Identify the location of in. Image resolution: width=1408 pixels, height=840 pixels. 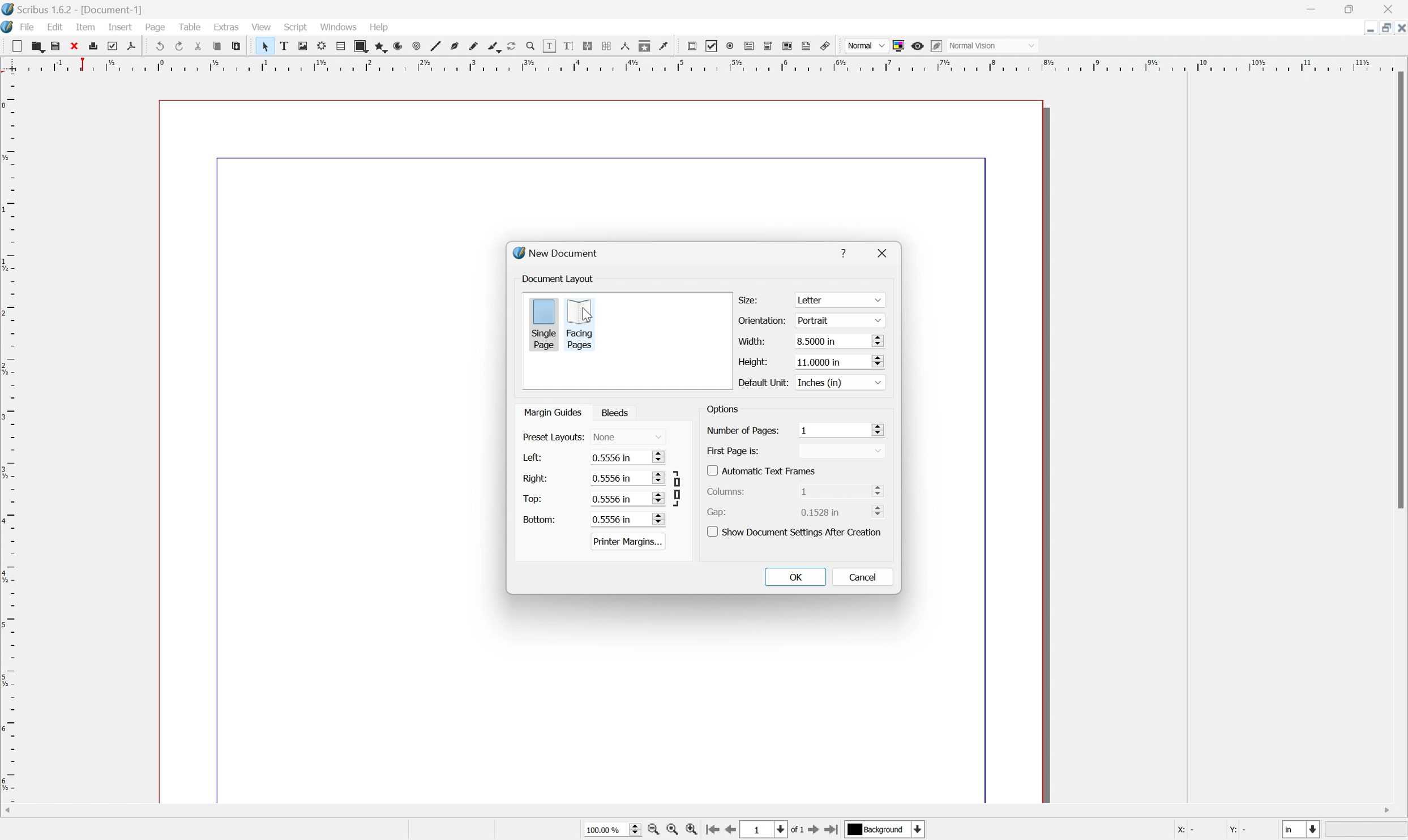
(1303, 831).